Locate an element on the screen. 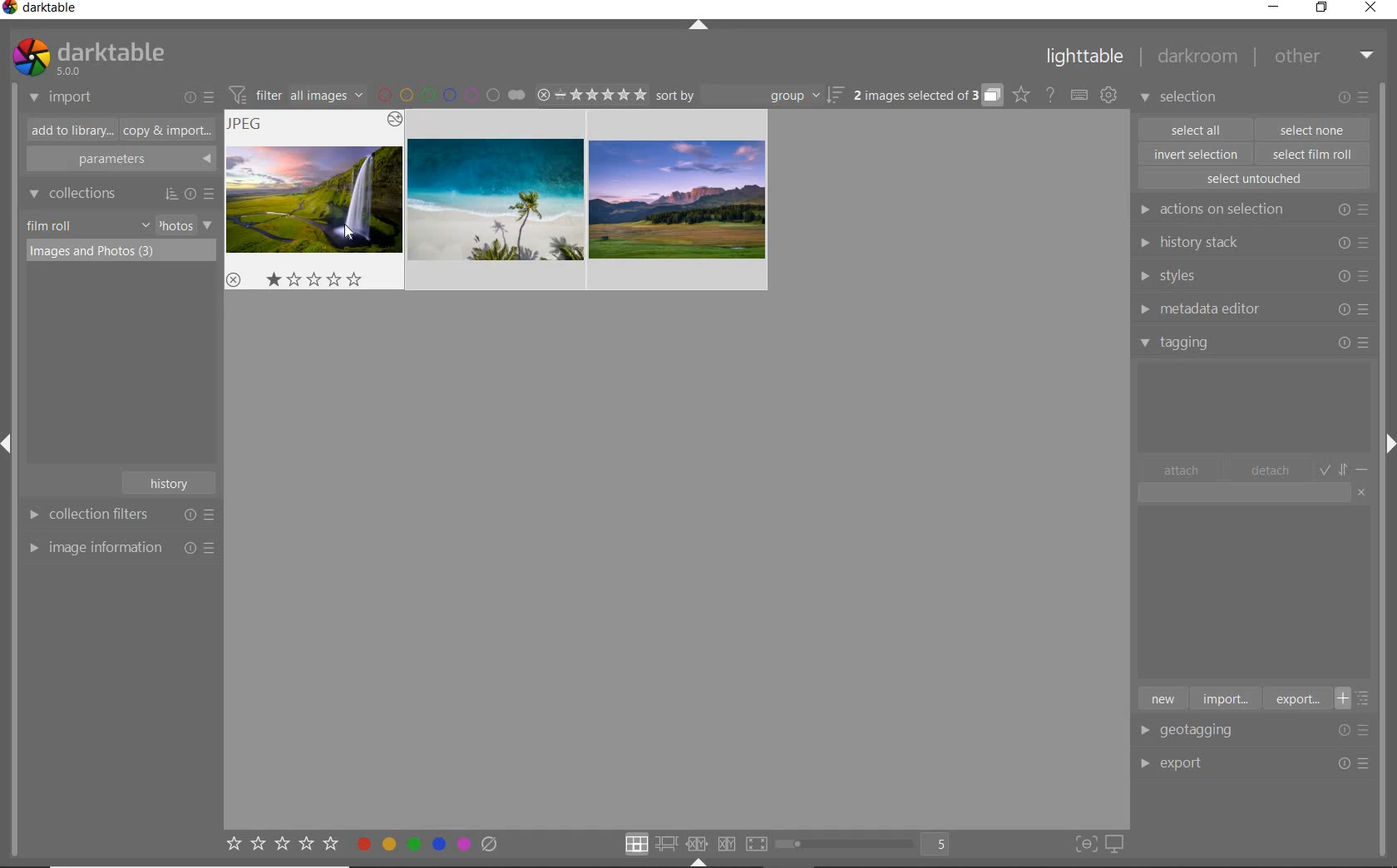  import or presets & preferences is located at coordinates (199, 96).